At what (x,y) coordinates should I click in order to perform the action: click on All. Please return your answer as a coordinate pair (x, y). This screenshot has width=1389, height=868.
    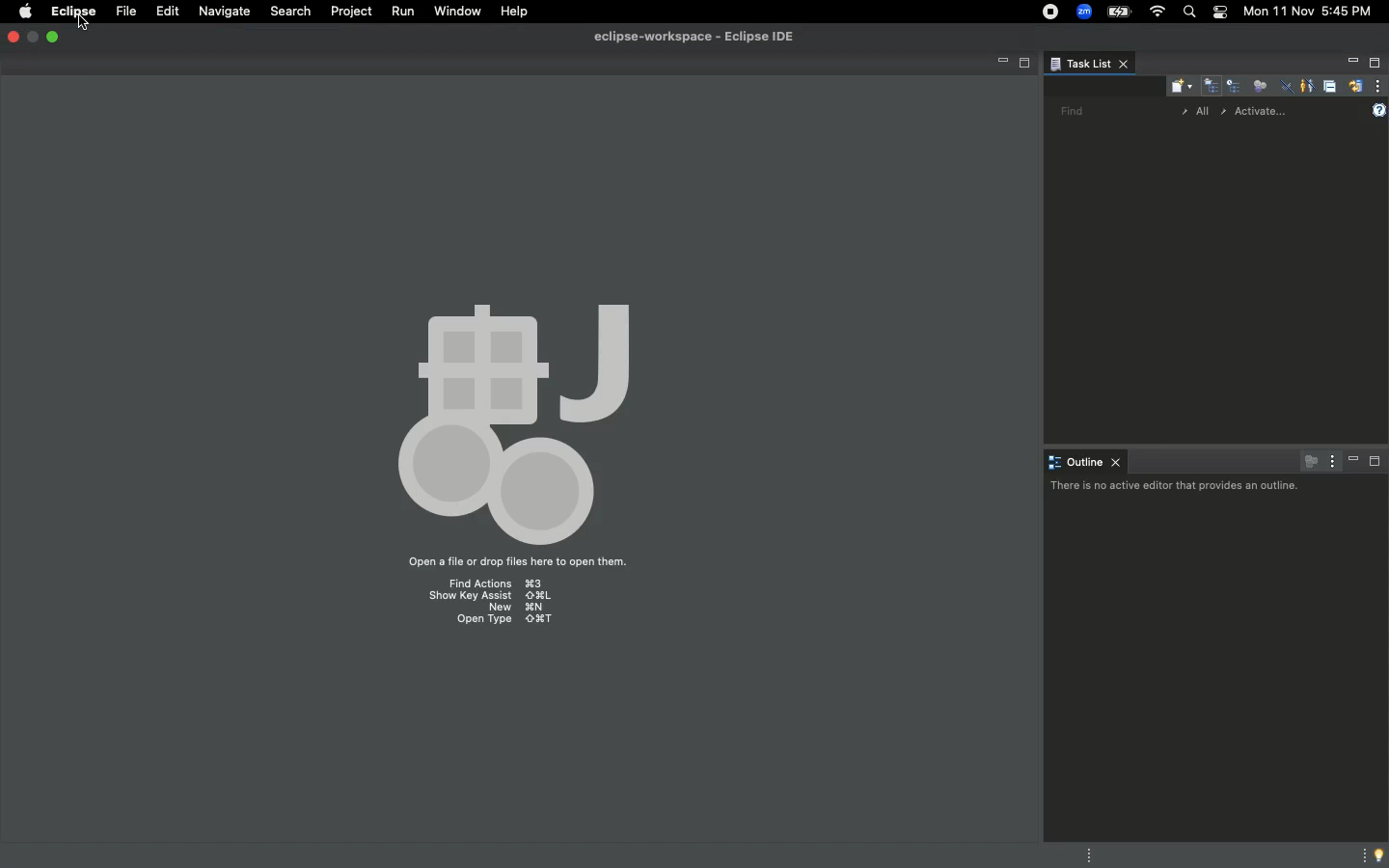
    Looking at the image, I should click on (1197, 112).